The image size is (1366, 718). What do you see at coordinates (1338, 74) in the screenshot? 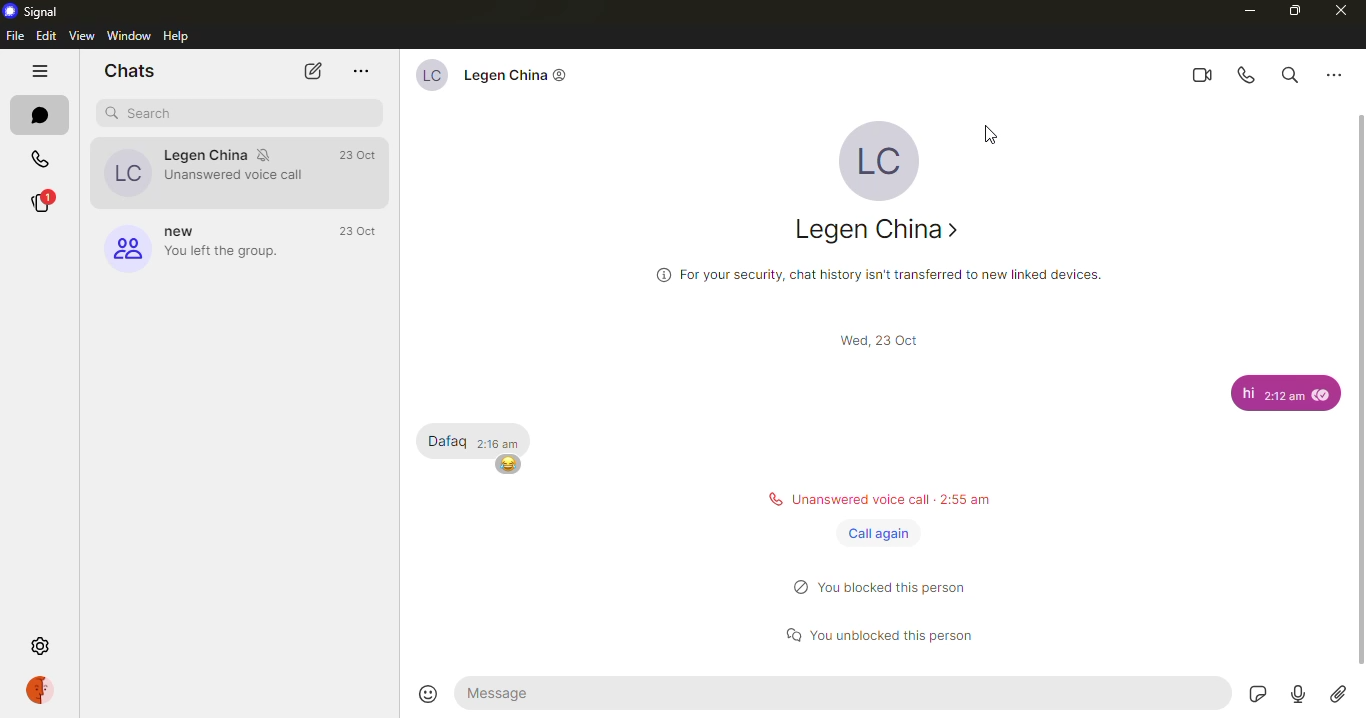
I see `more` at bounding box center [1338, 74].